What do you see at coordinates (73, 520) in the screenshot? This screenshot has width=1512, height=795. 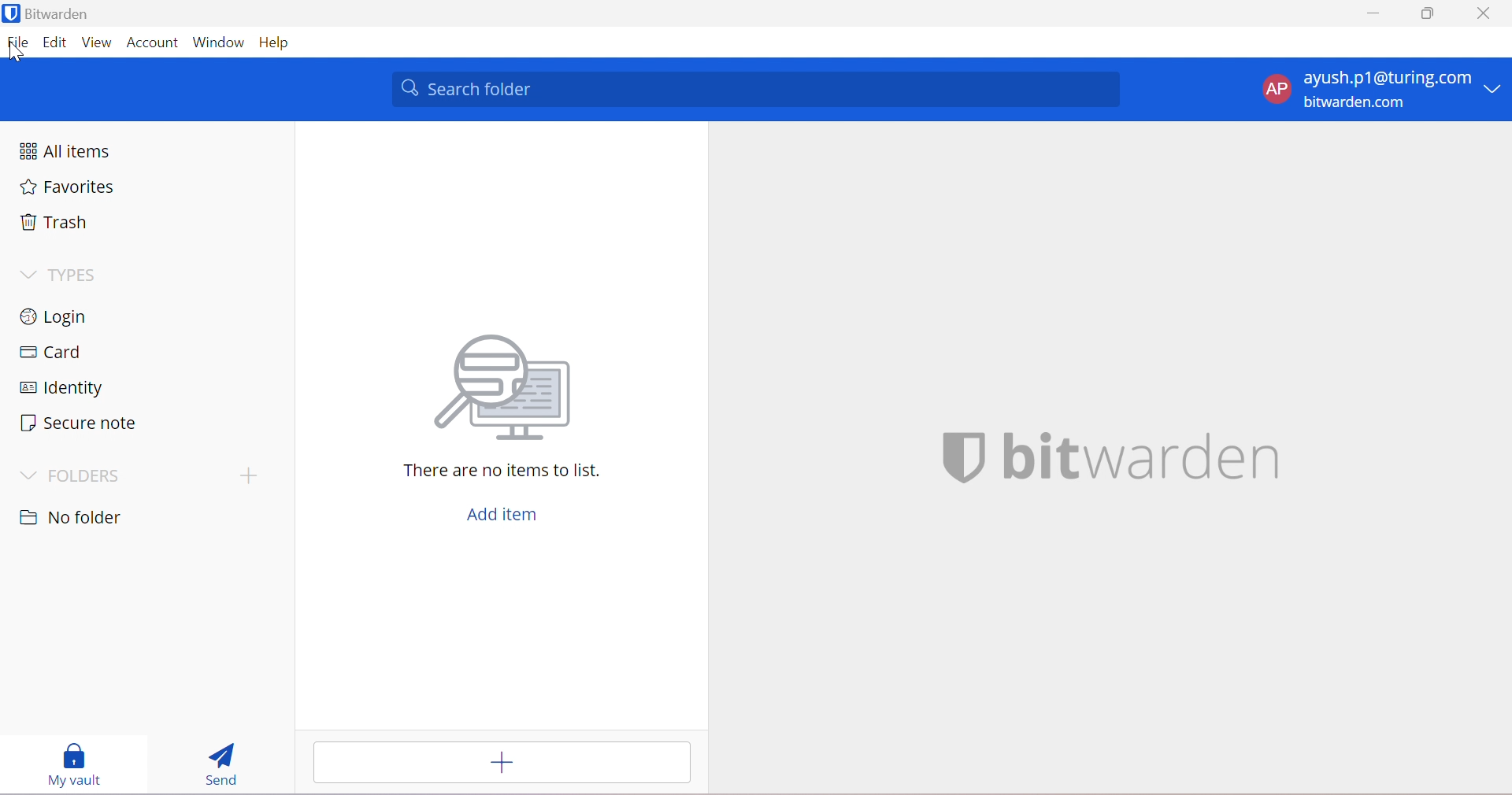 I see `No folder` at bounding box center [73, 520].